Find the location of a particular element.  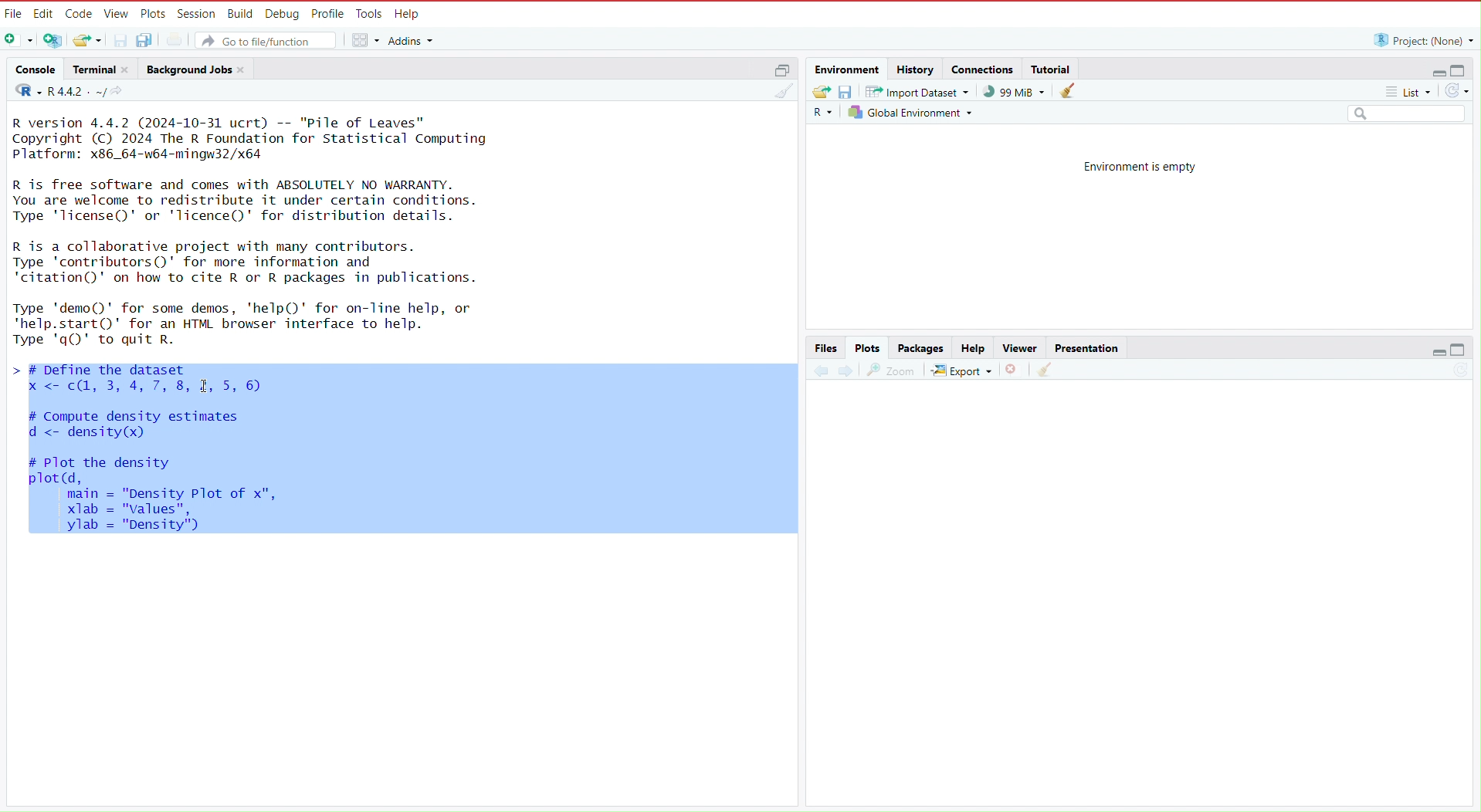

clear all plots is located at coordinates (1043, 372).